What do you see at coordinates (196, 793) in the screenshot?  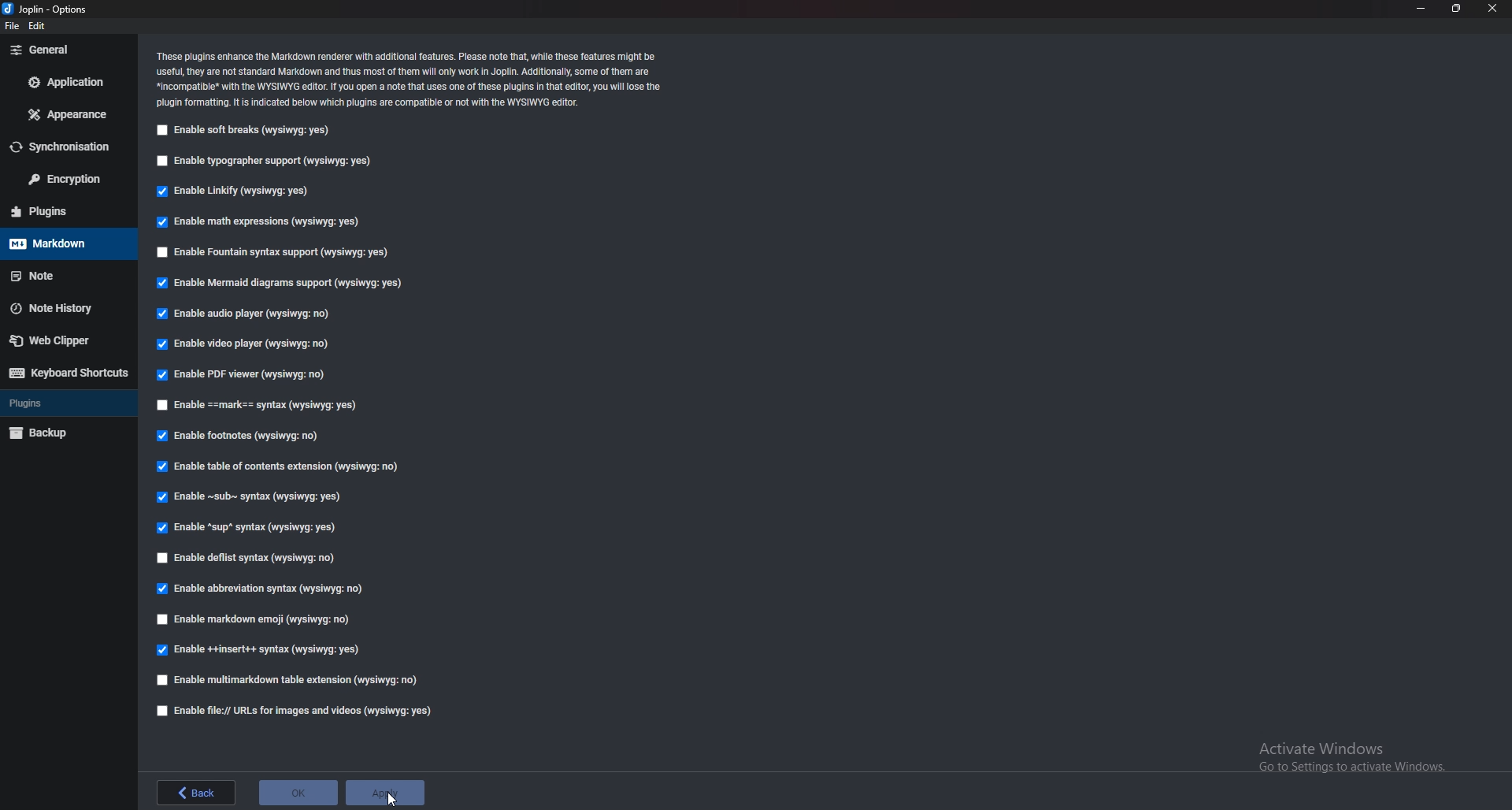 I see `back` at bounding box center [196, 793].